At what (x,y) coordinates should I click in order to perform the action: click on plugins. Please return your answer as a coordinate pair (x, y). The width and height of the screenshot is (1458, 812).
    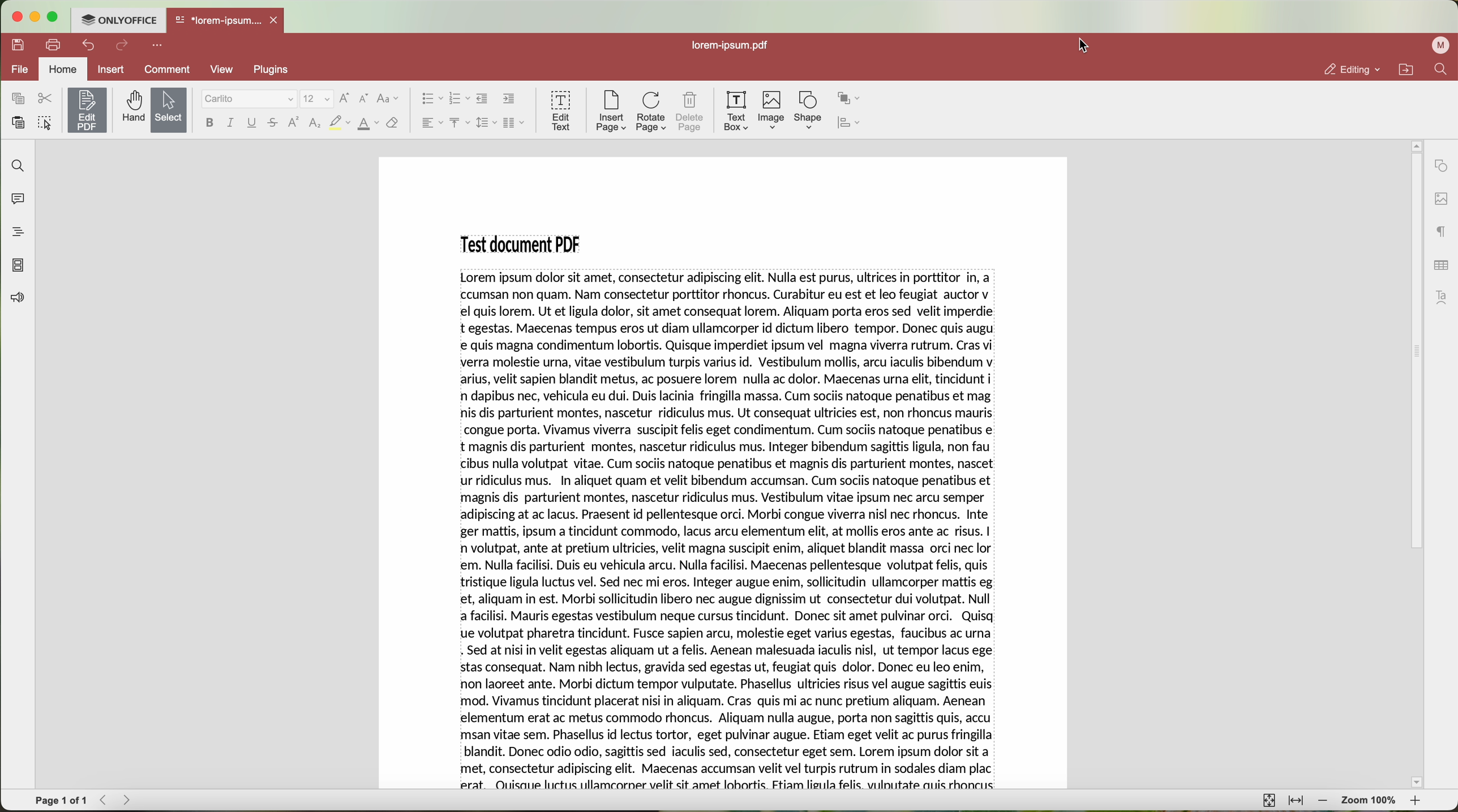
    Looking at the image, I should click on (273, 71).